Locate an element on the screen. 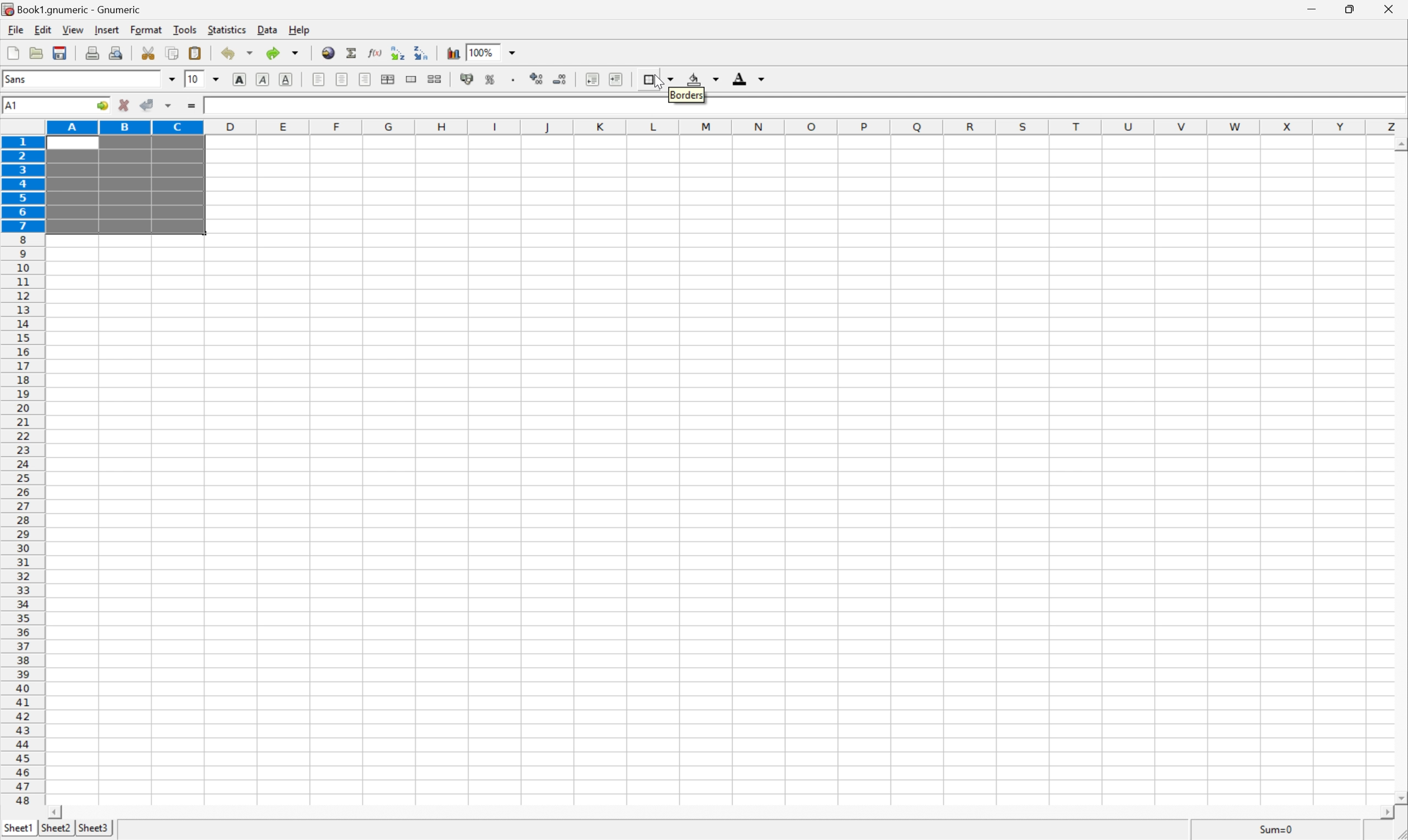 This screenshot has height=840, width=1408. merge a range of cells is located at coordinates (411, 77).